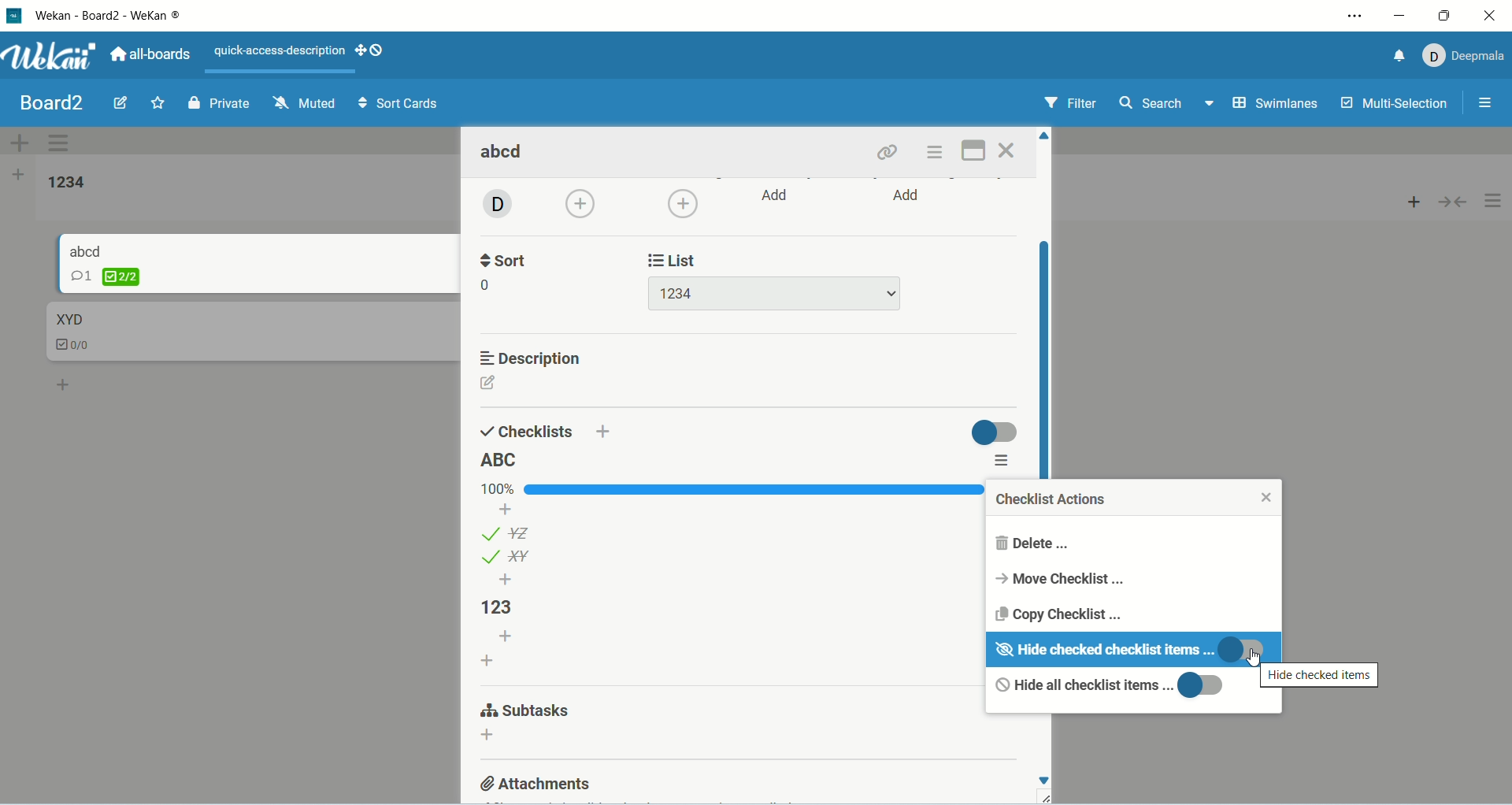 The height and width of the screenshot is (805, 1512). I want to click on collapse, so click(1456, 204).